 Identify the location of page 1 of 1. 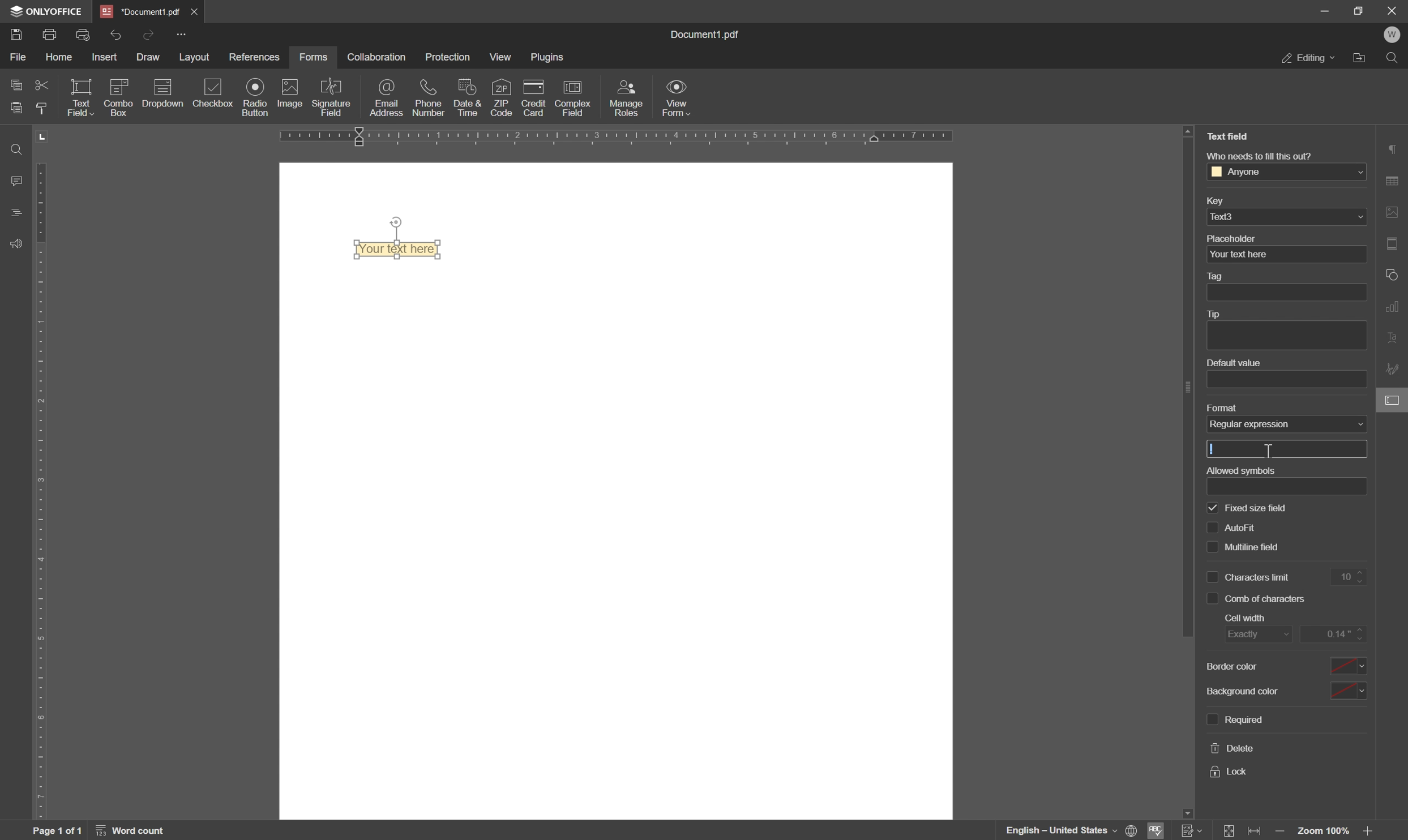
(58, 831).